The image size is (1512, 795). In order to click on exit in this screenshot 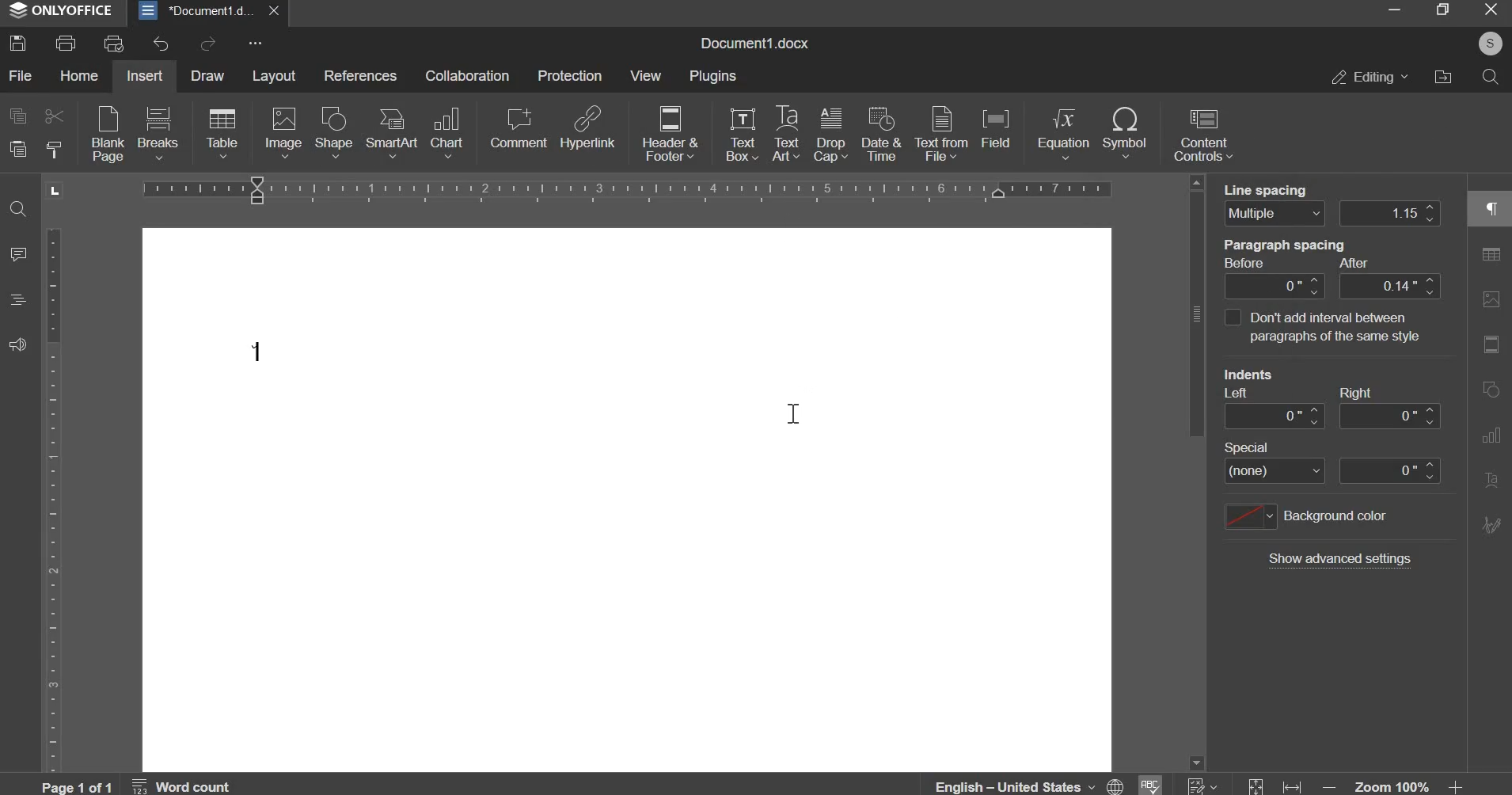, I will do `click(272, 10)`.